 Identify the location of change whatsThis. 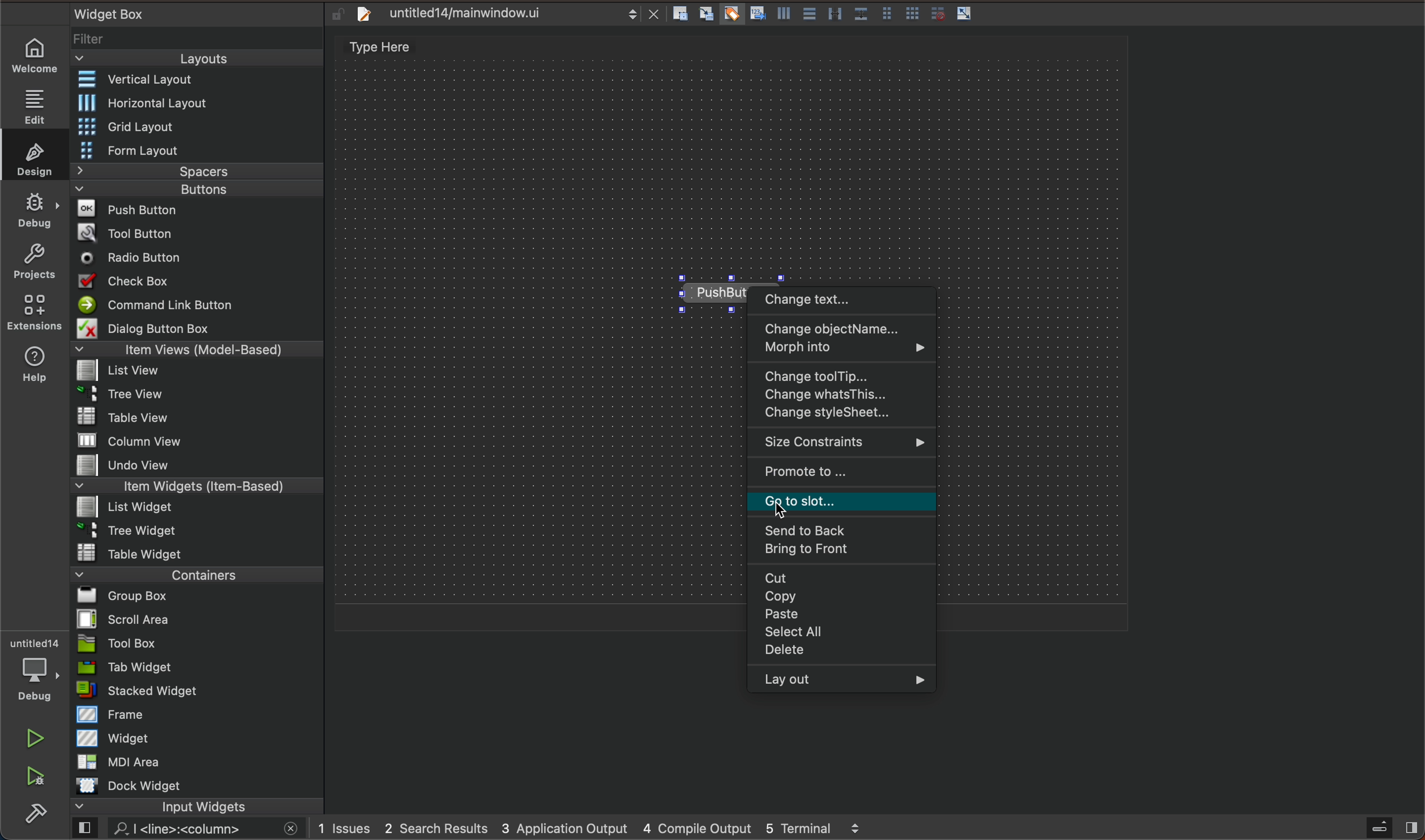
(841, 395).